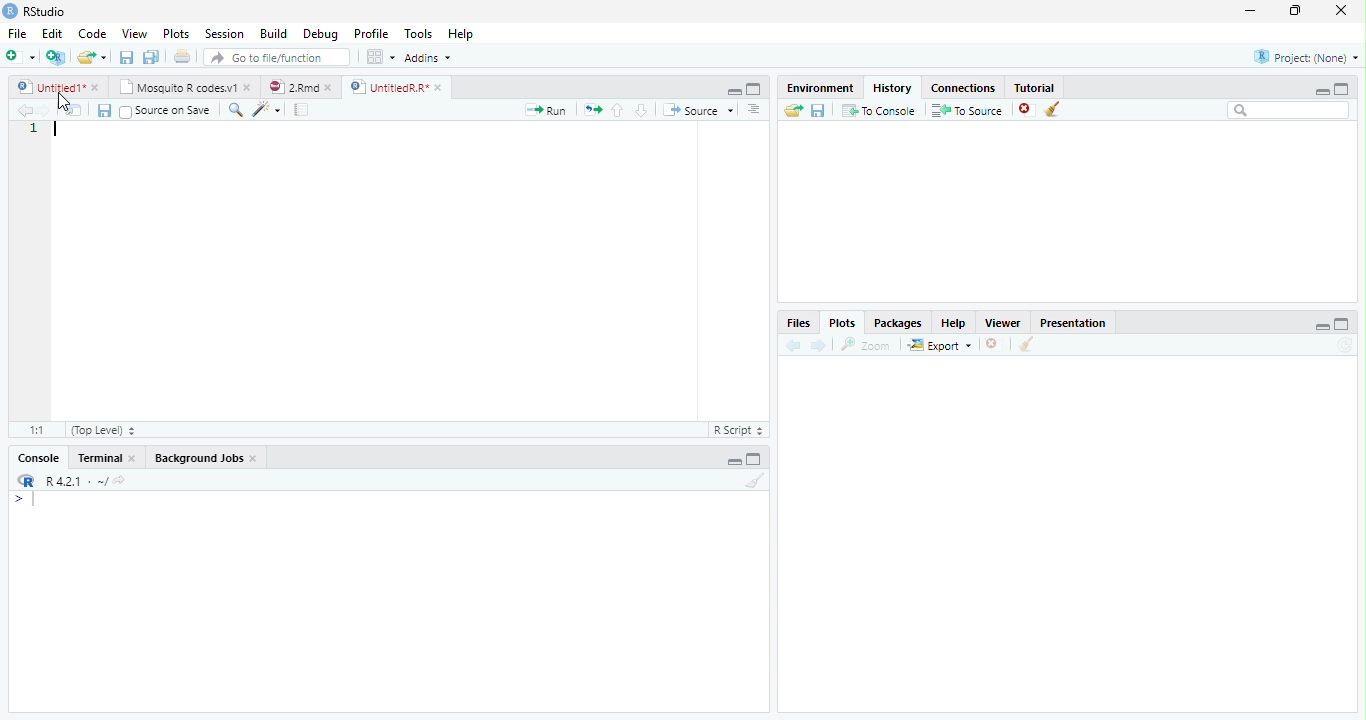 The height and width of the screenshot is (720, 1366). Describe the element at coordinates (57, 56) in the screenshot. I see `Create a project` at that location.